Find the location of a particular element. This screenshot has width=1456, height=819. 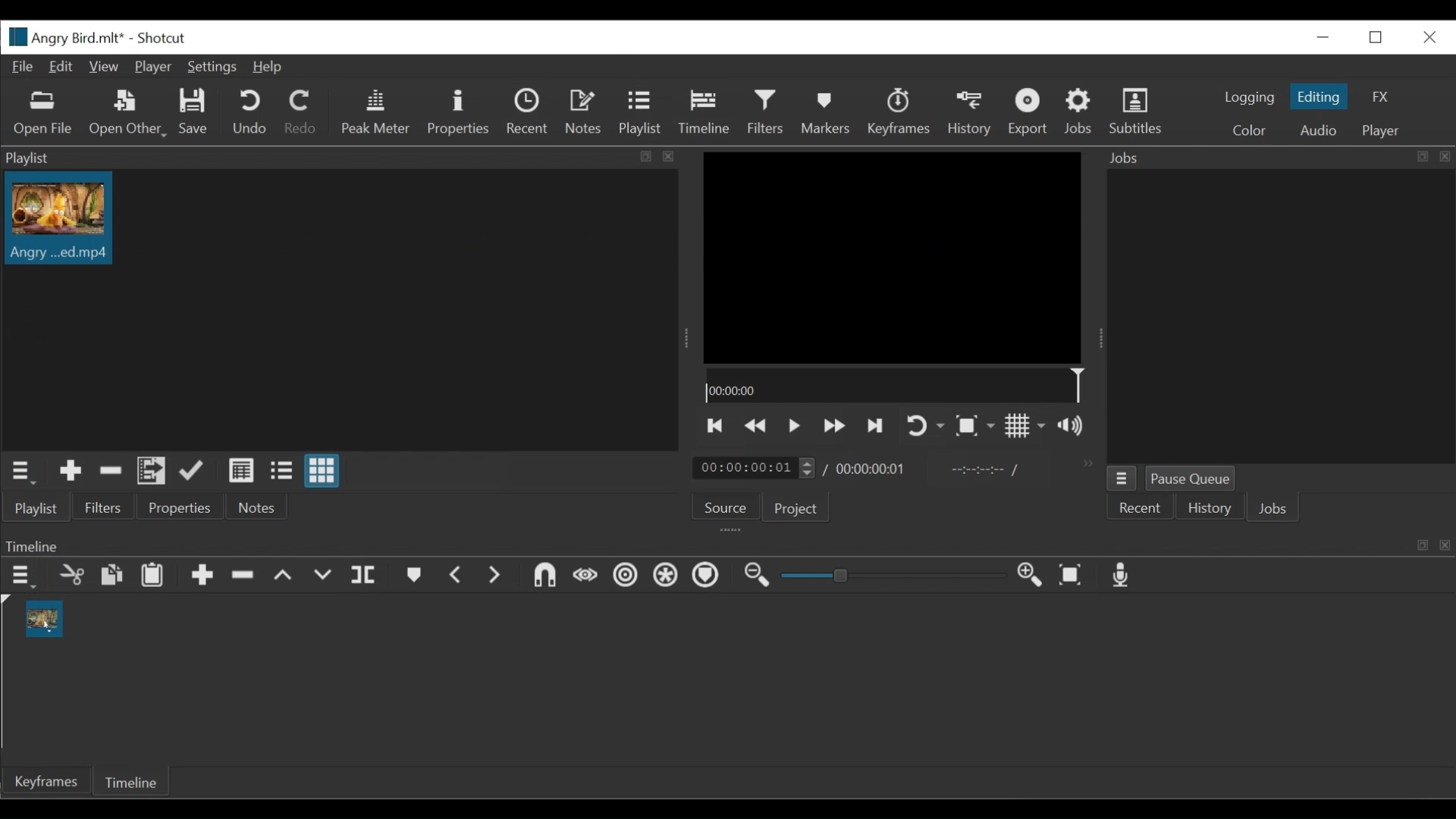

Peak Meter is located at coordinates (374, 112).